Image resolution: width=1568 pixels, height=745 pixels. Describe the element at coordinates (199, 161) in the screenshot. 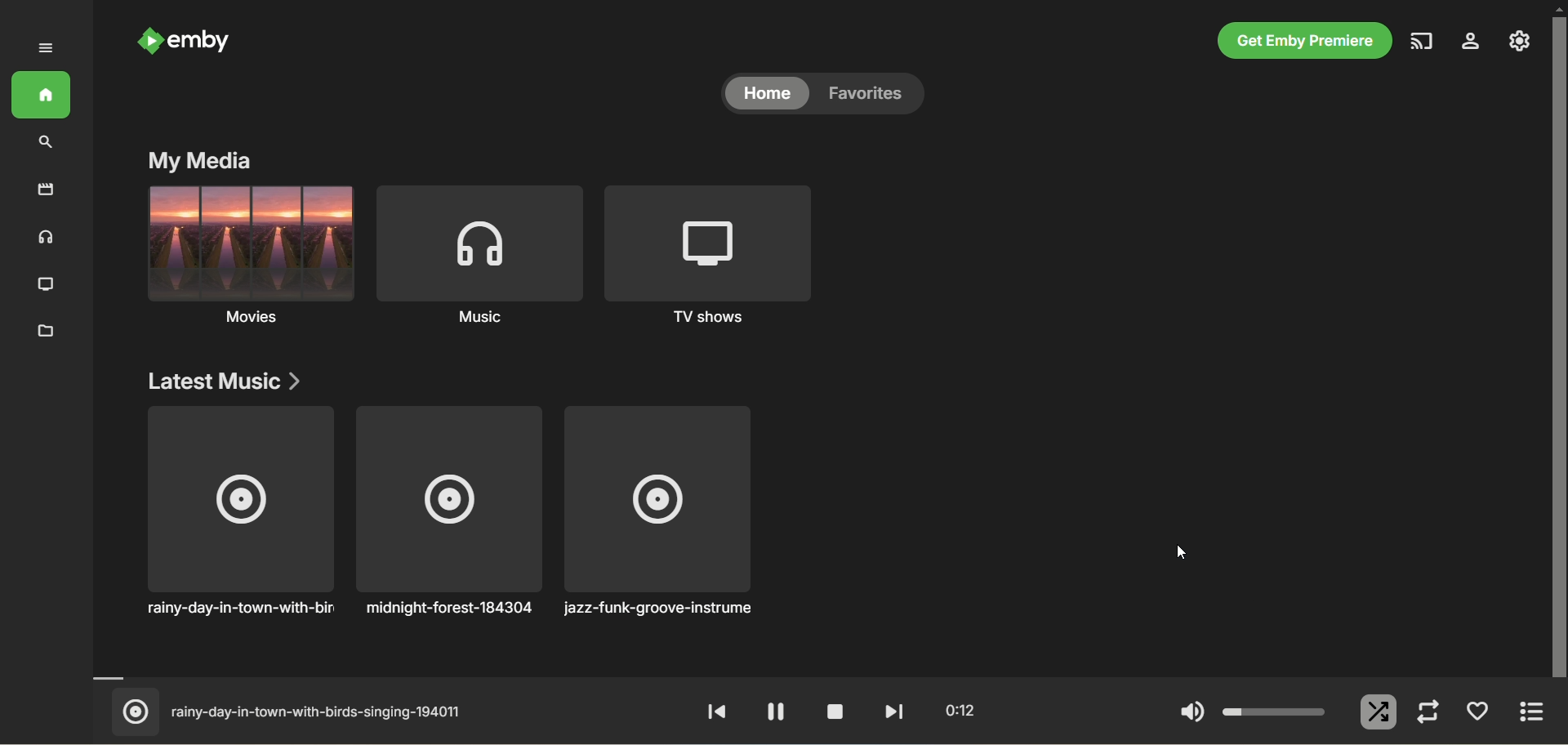

I see `my media` at that location.